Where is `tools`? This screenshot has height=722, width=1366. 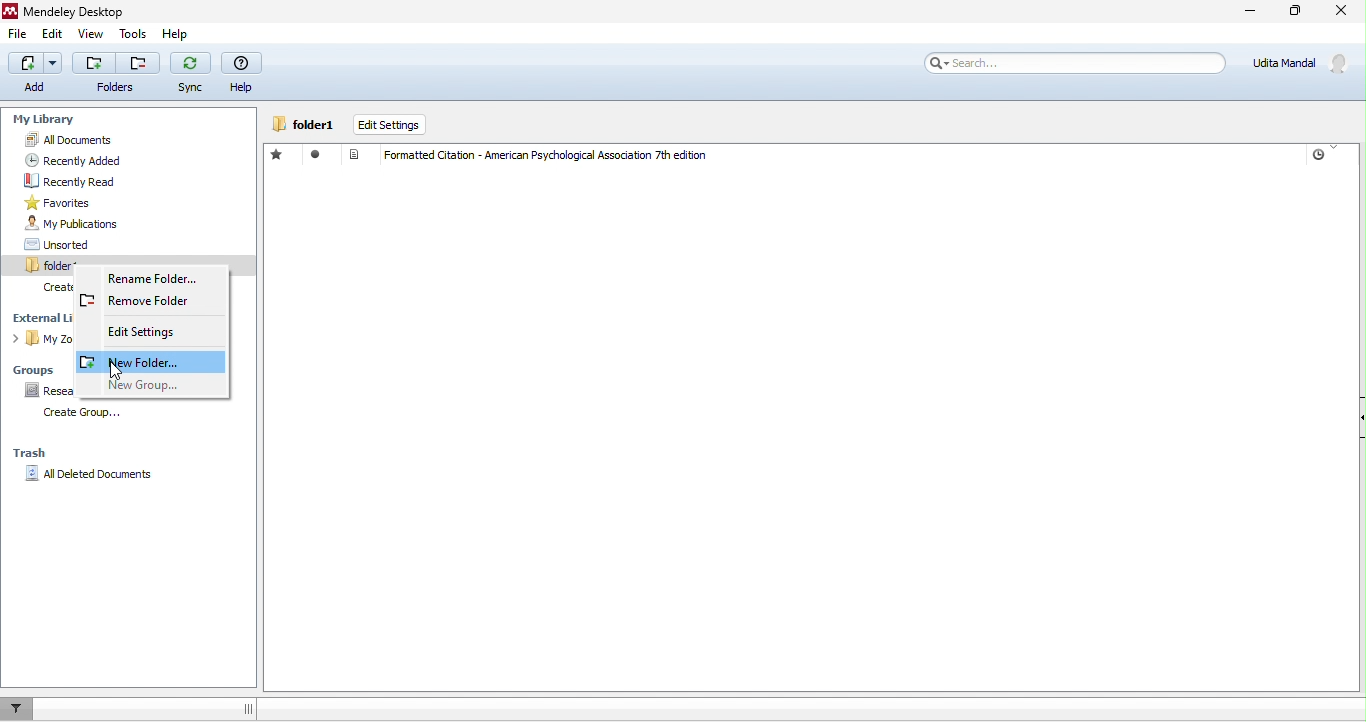 tools is located at coordinates (133, 32).